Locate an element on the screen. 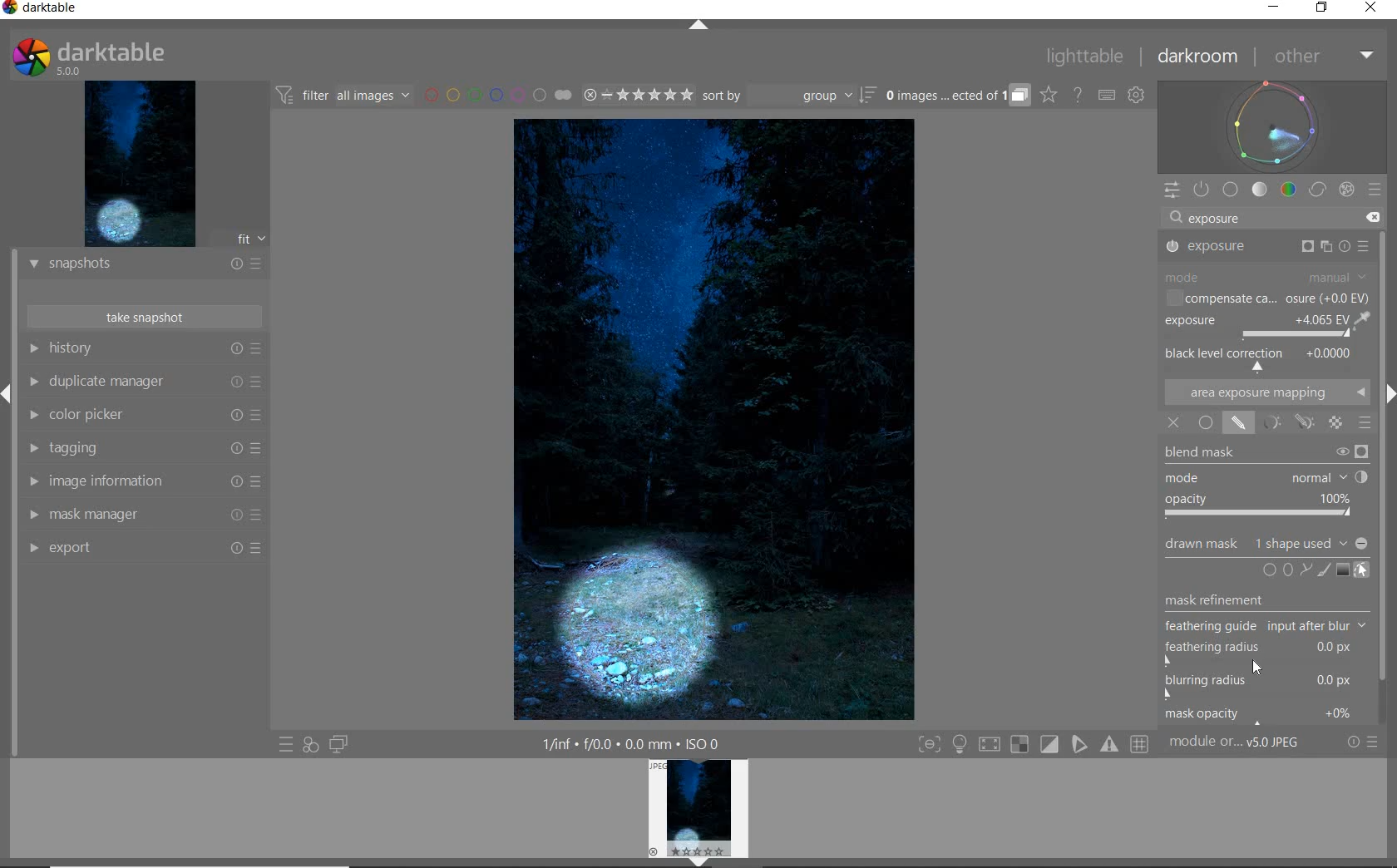  SCROLLBAR is located at coordinates (1389, 303).